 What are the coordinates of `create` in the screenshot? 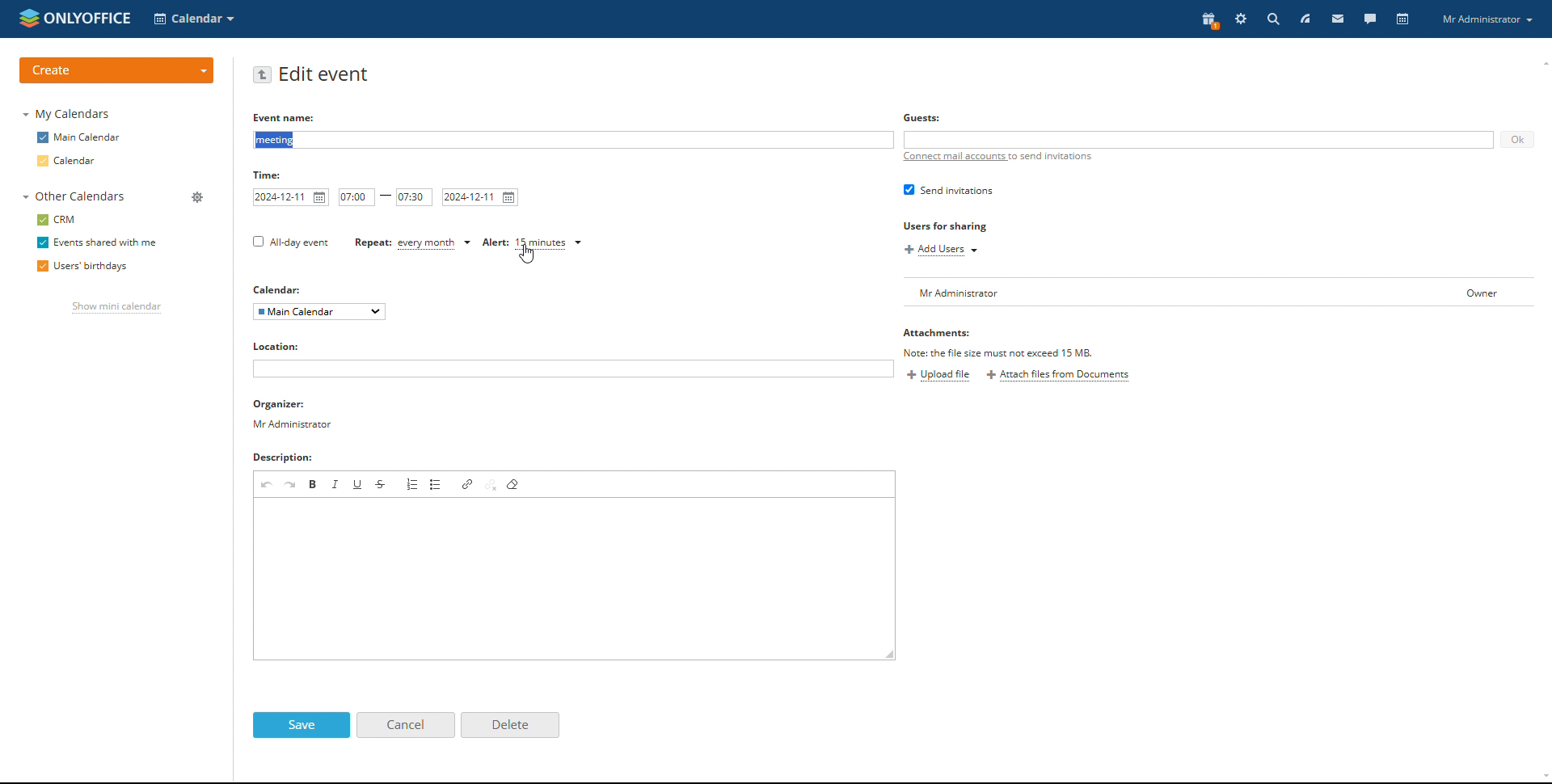 It's located at (118, 69).